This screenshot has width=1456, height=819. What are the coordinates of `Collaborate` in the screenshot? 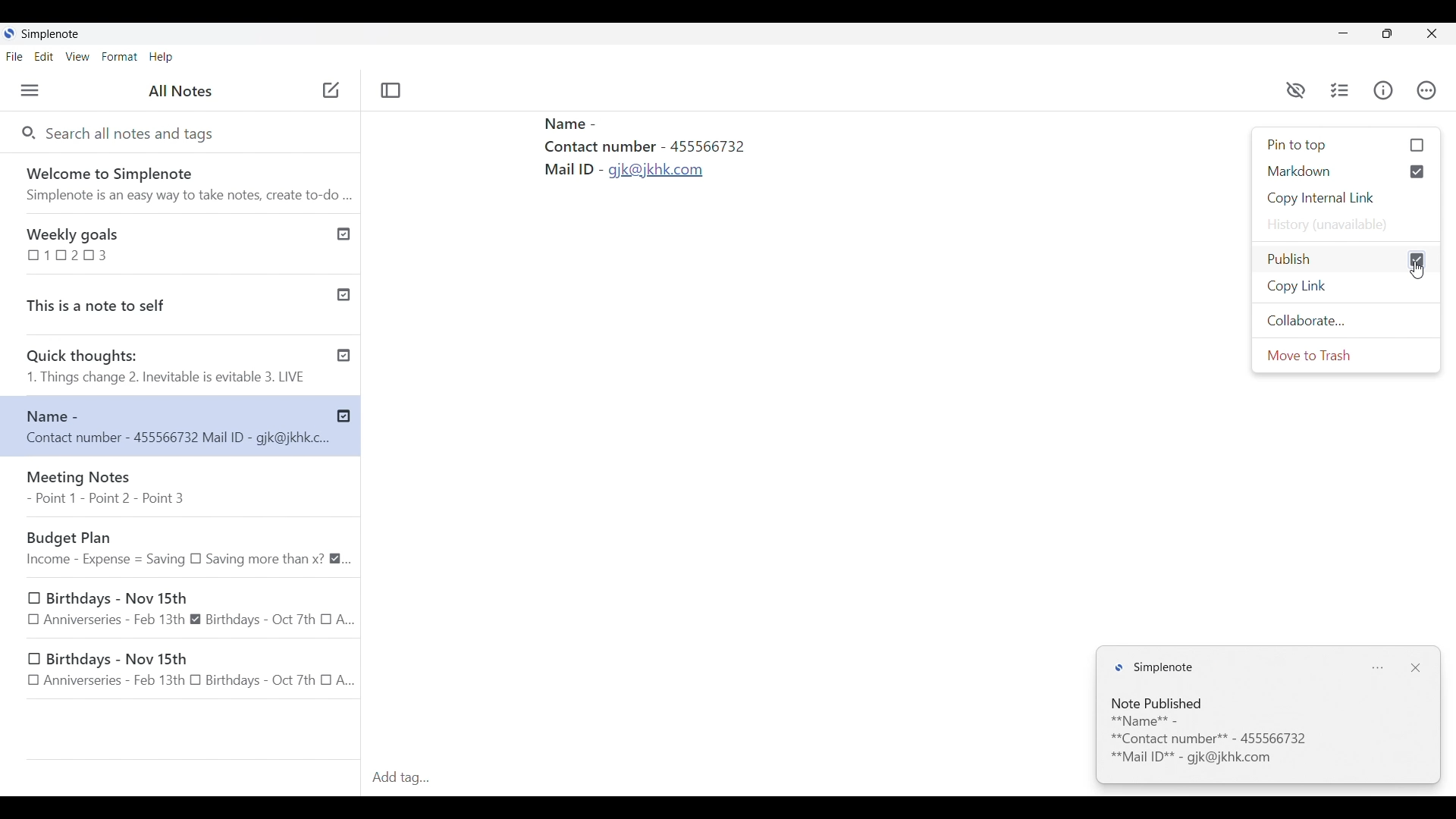 It's located at (1346, 321).